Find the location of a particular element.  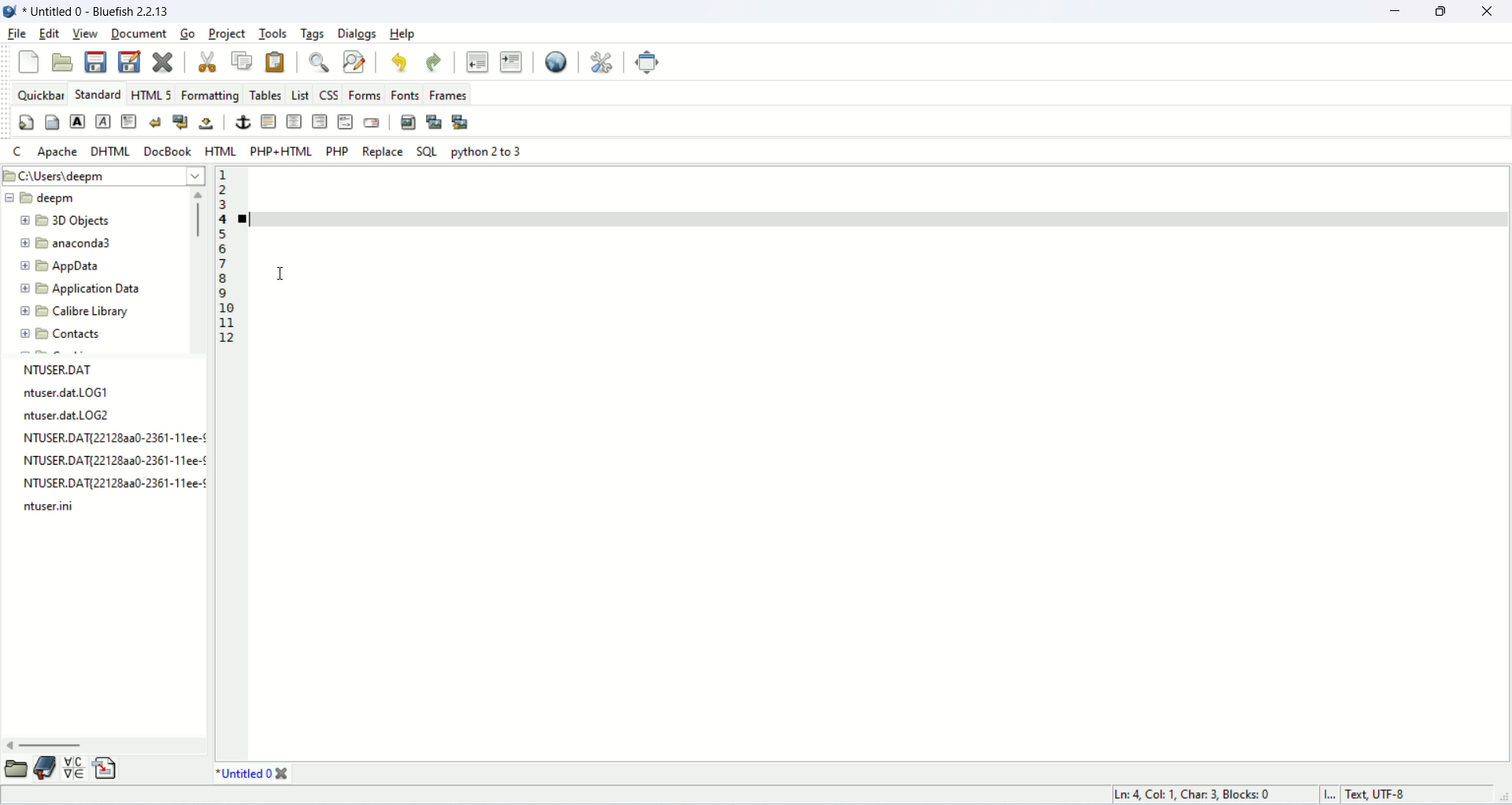

maximize is located at coordinates (1443, 11).